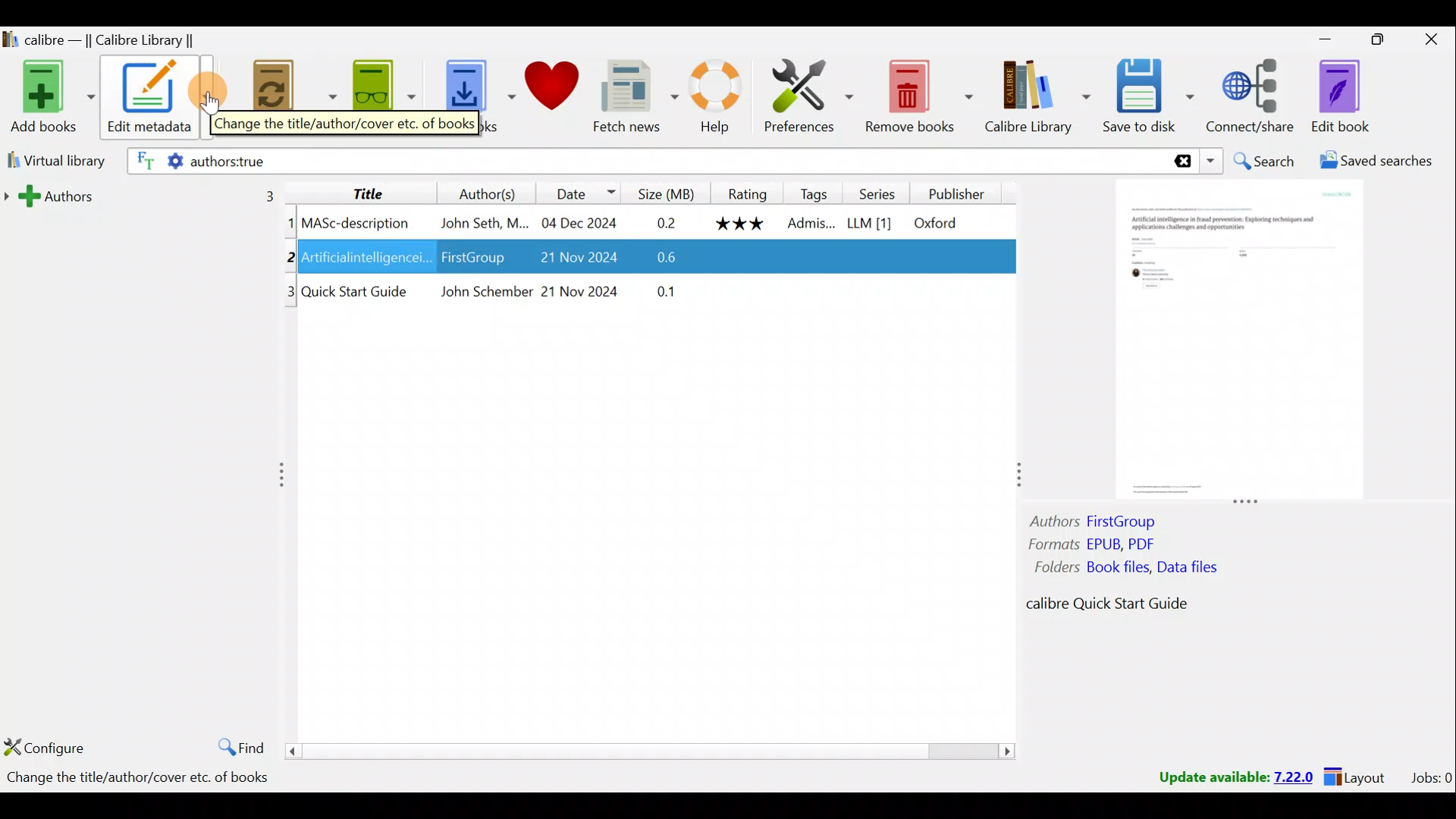  Describe the element at coordinates (122, 39) in the screenshot. I see `Calibre library` at that location.